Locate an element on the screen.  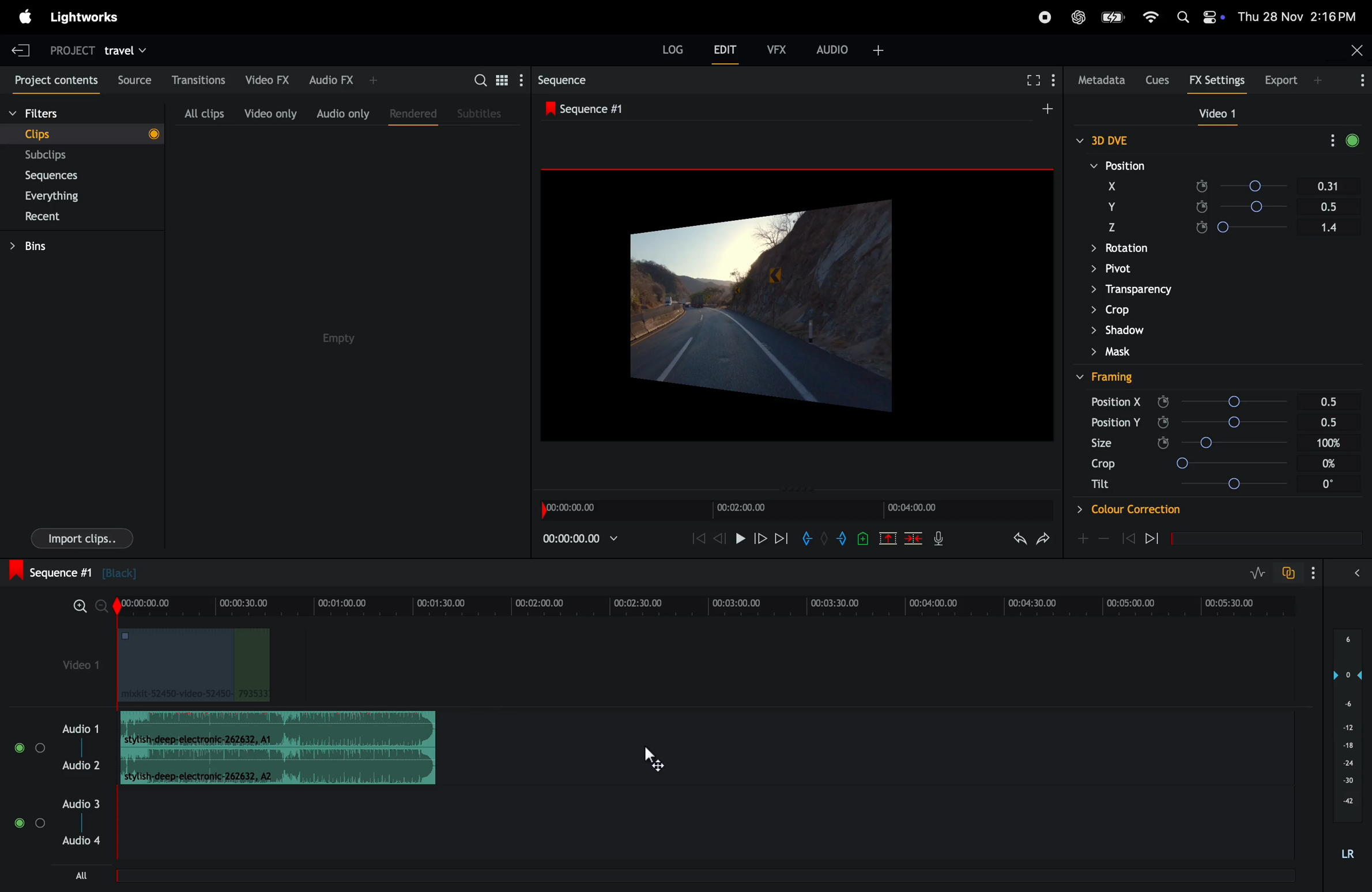
 is located at coordinates (1169, 290).